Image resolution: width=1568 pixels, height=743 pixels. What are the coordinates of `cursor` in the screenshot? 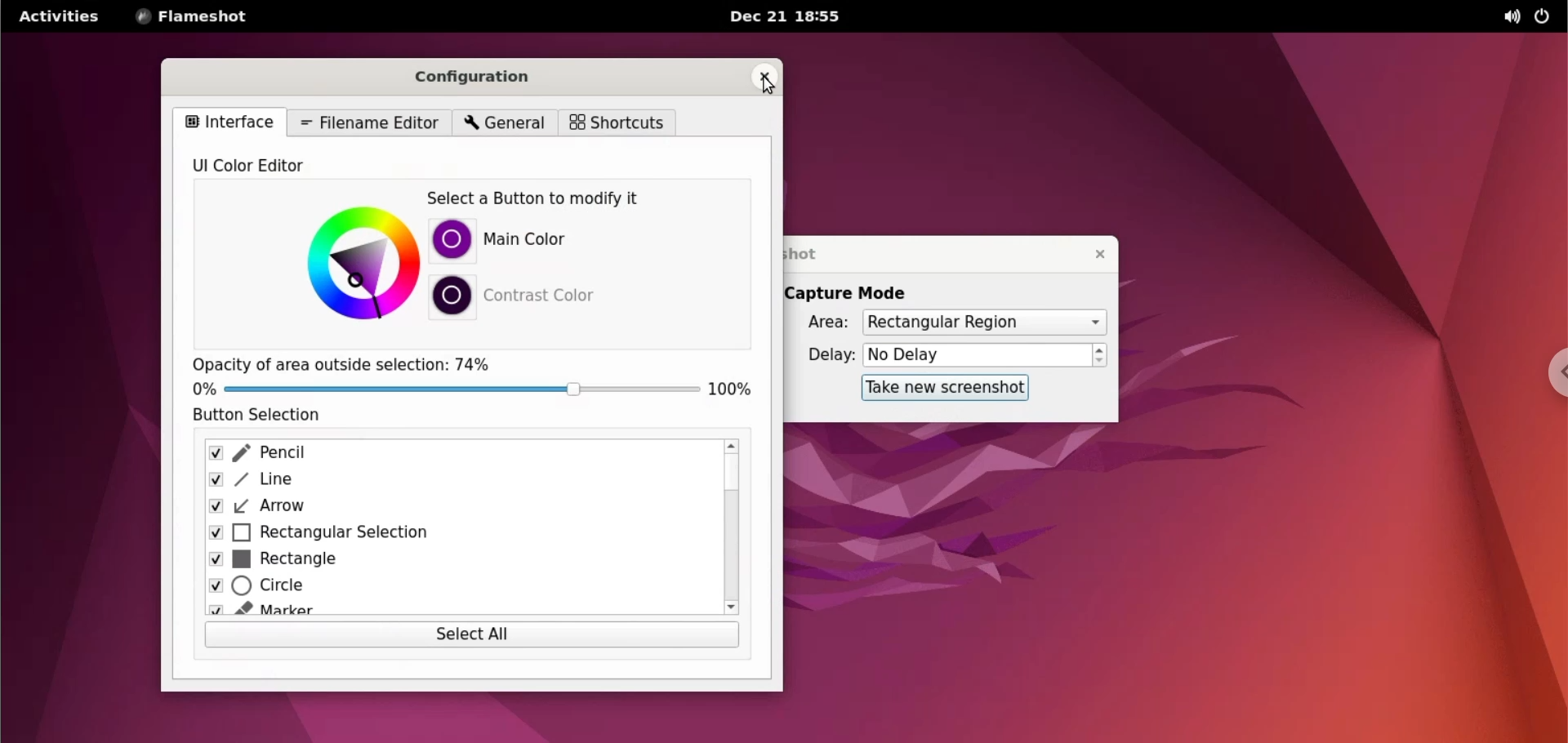 It's located at (767, 82).